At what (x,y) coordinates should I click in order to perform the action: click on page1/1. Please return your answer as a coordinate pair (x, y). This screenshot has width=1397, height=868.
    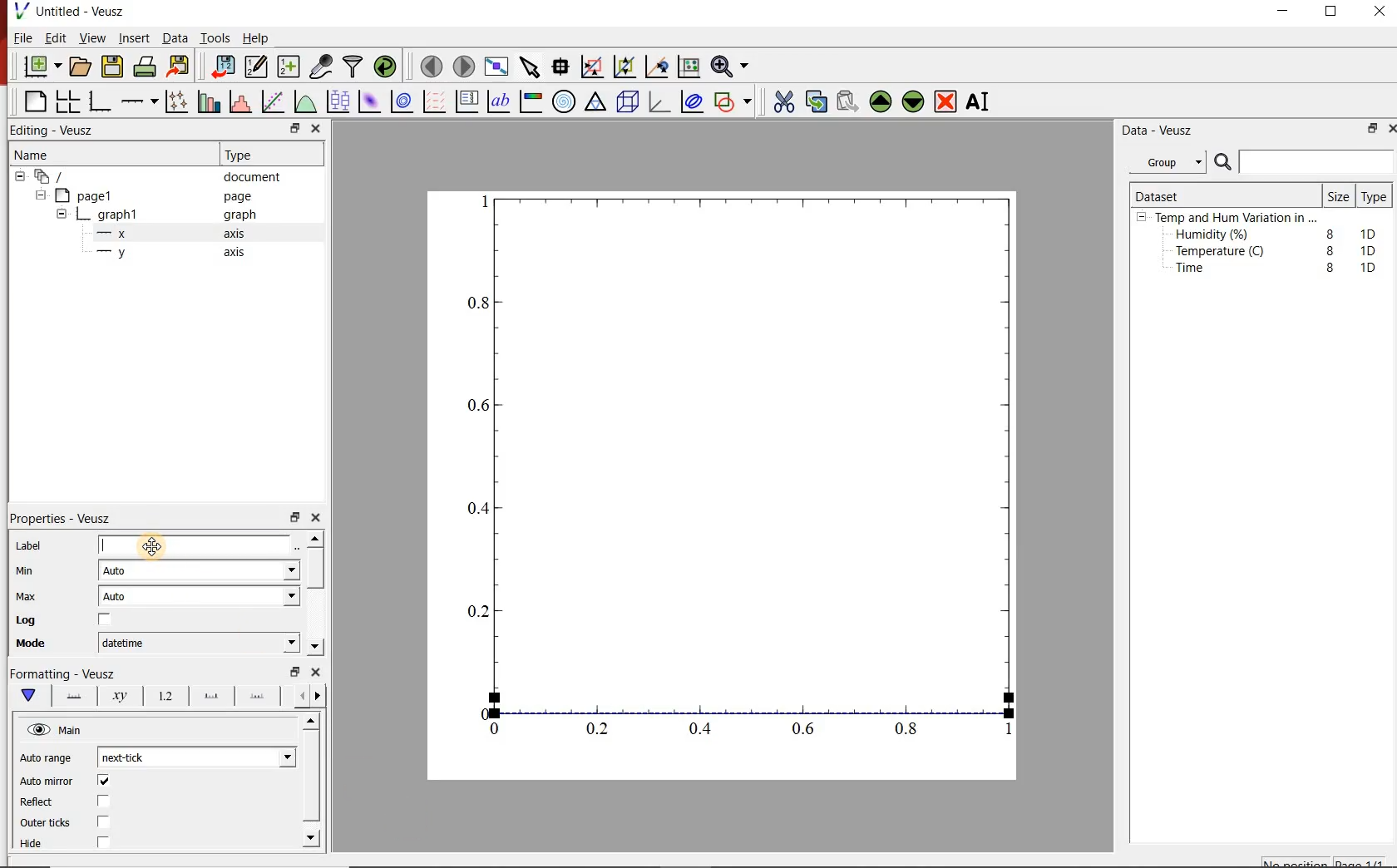
    Looking at the image, I should click on (1365, 861).